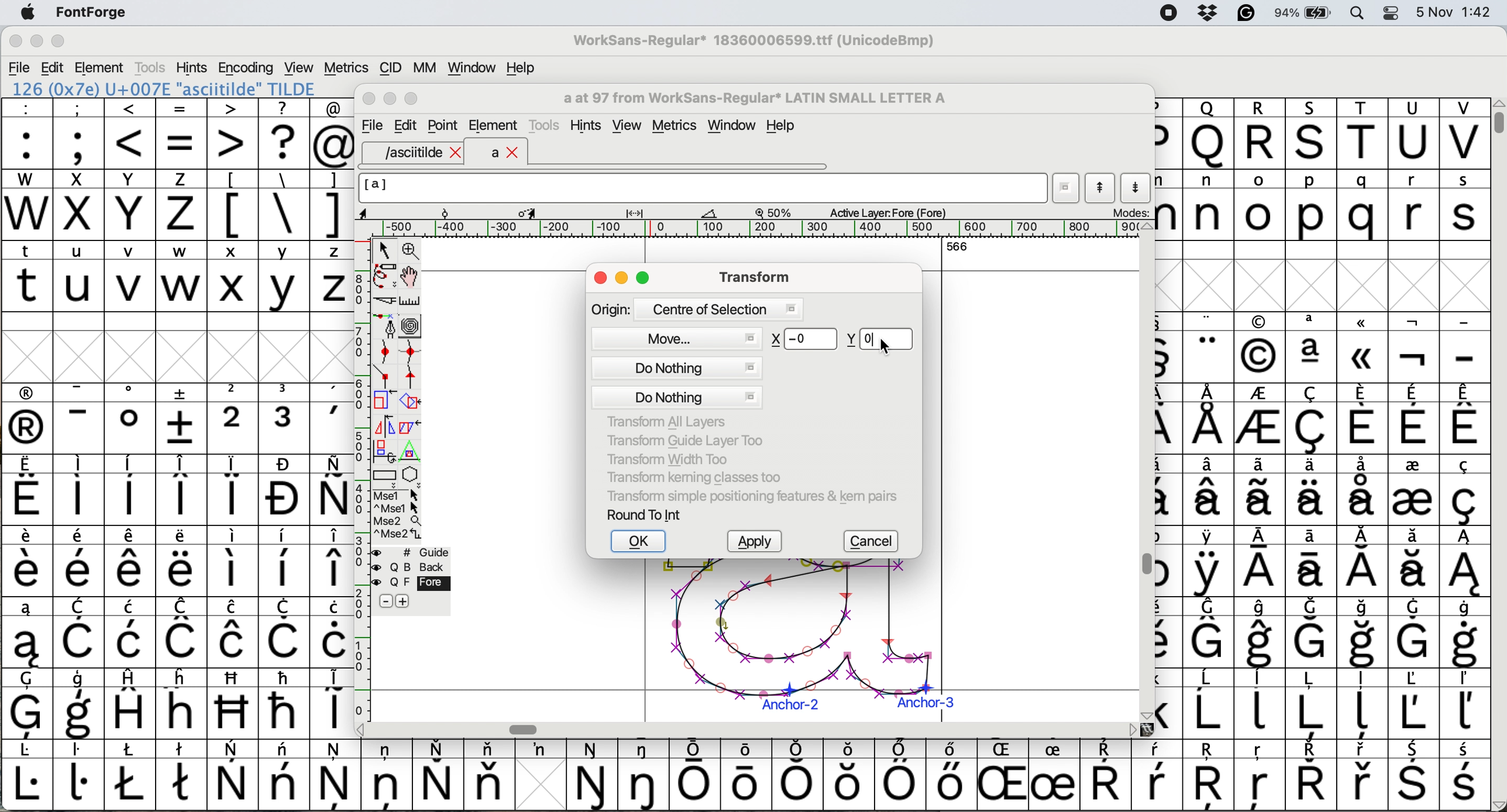 This screenshot has width=1507, height=812. I want to click on change whether spiro is active or not, so click(411, 325).